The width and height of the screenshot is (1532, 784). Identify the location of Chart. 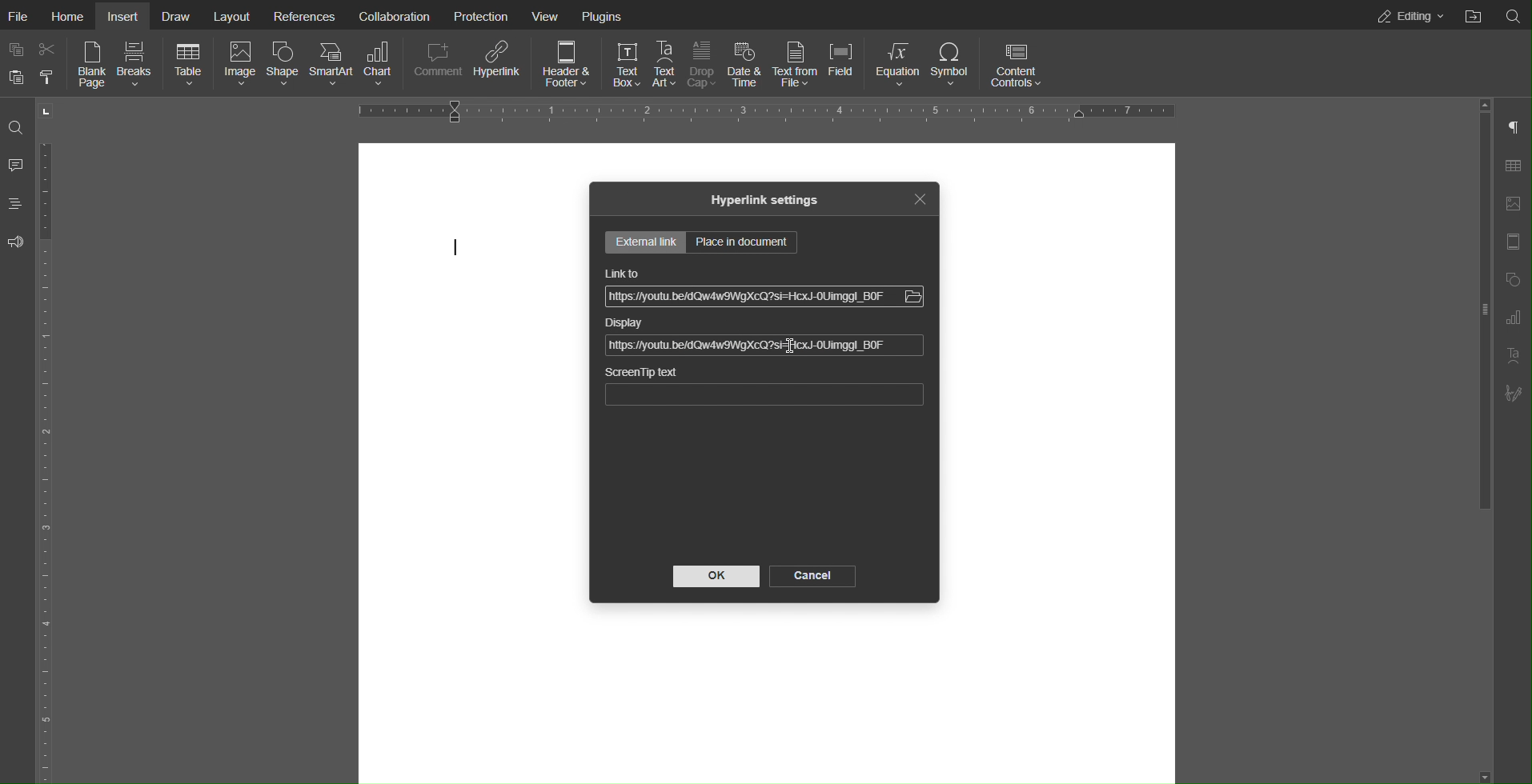
(379, 65).